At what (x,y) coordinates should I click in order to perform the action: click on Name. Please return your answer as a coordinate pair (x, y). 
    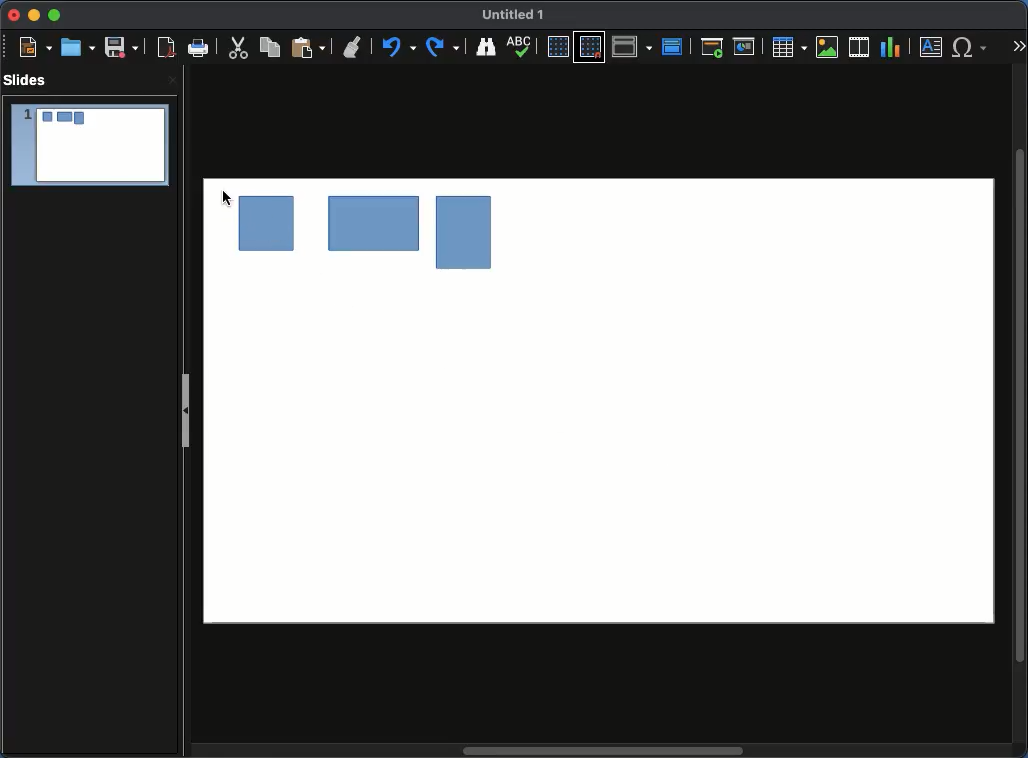
    Looking at the image, I should click on (518, 16).